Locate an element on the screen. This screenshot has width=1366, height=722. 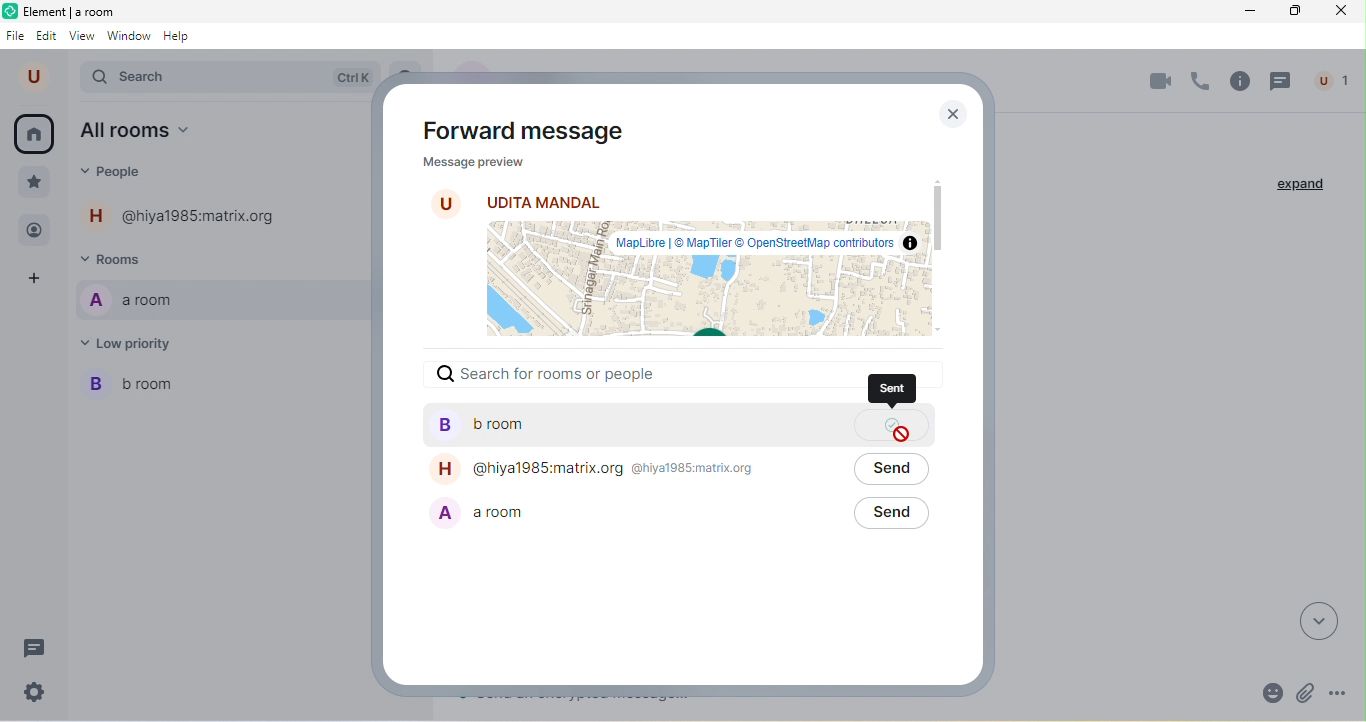
a room is located at coordinates (631, 514).